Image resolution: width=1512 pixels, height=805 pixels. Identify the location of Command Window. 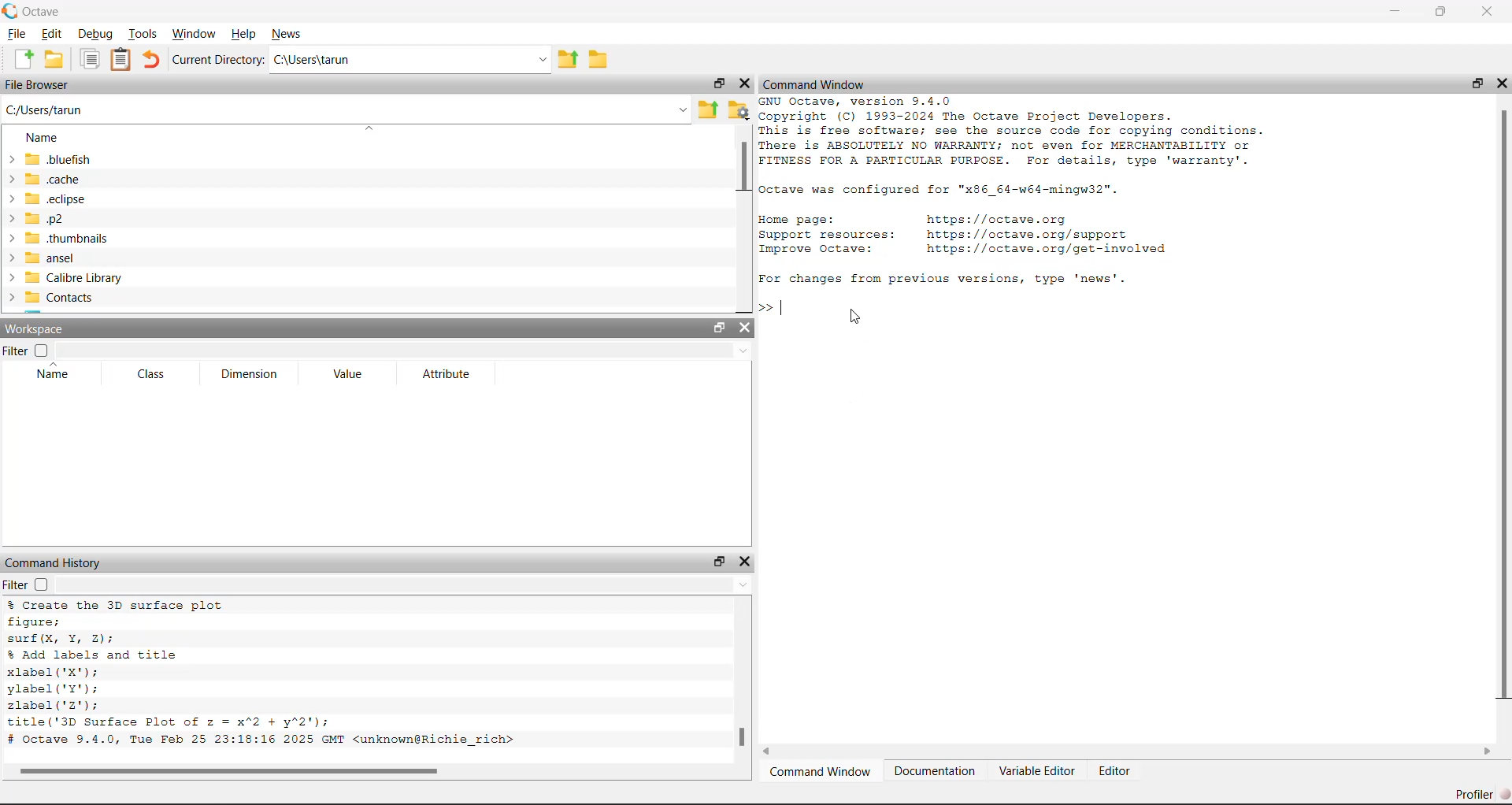
(814, 83).